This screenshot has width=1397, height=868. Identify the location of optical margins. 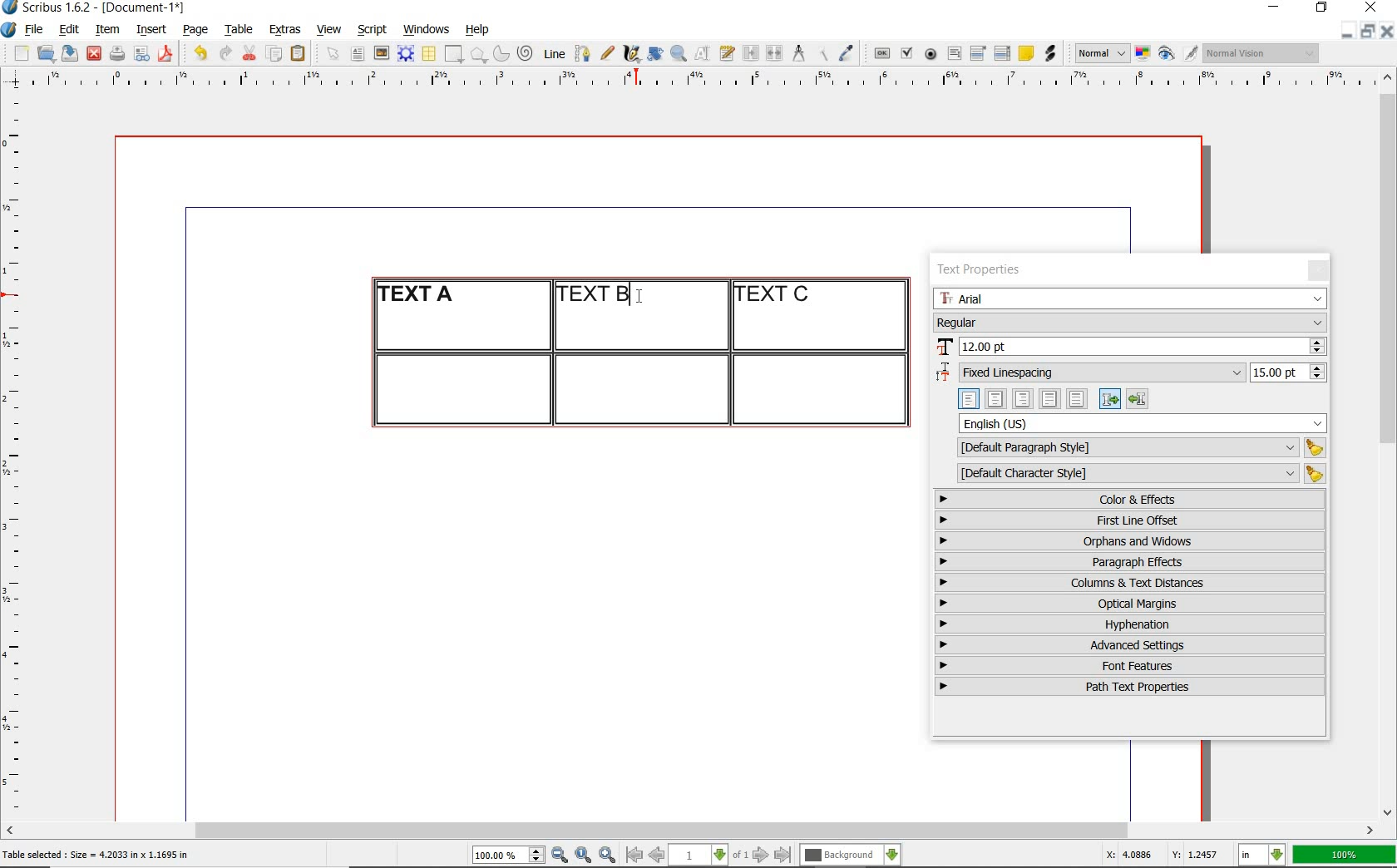
(1131, 604).